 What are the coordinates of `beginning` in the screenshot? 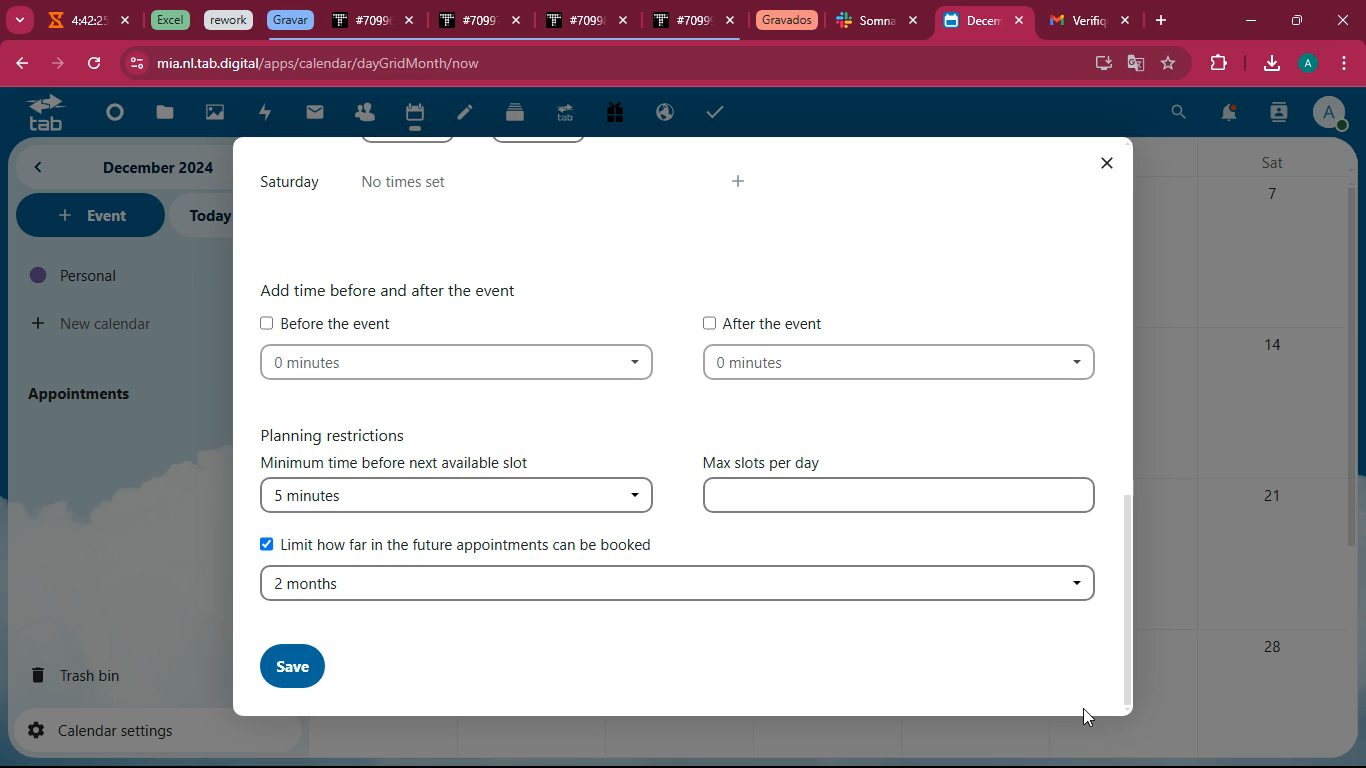 It's located at (110, 114).